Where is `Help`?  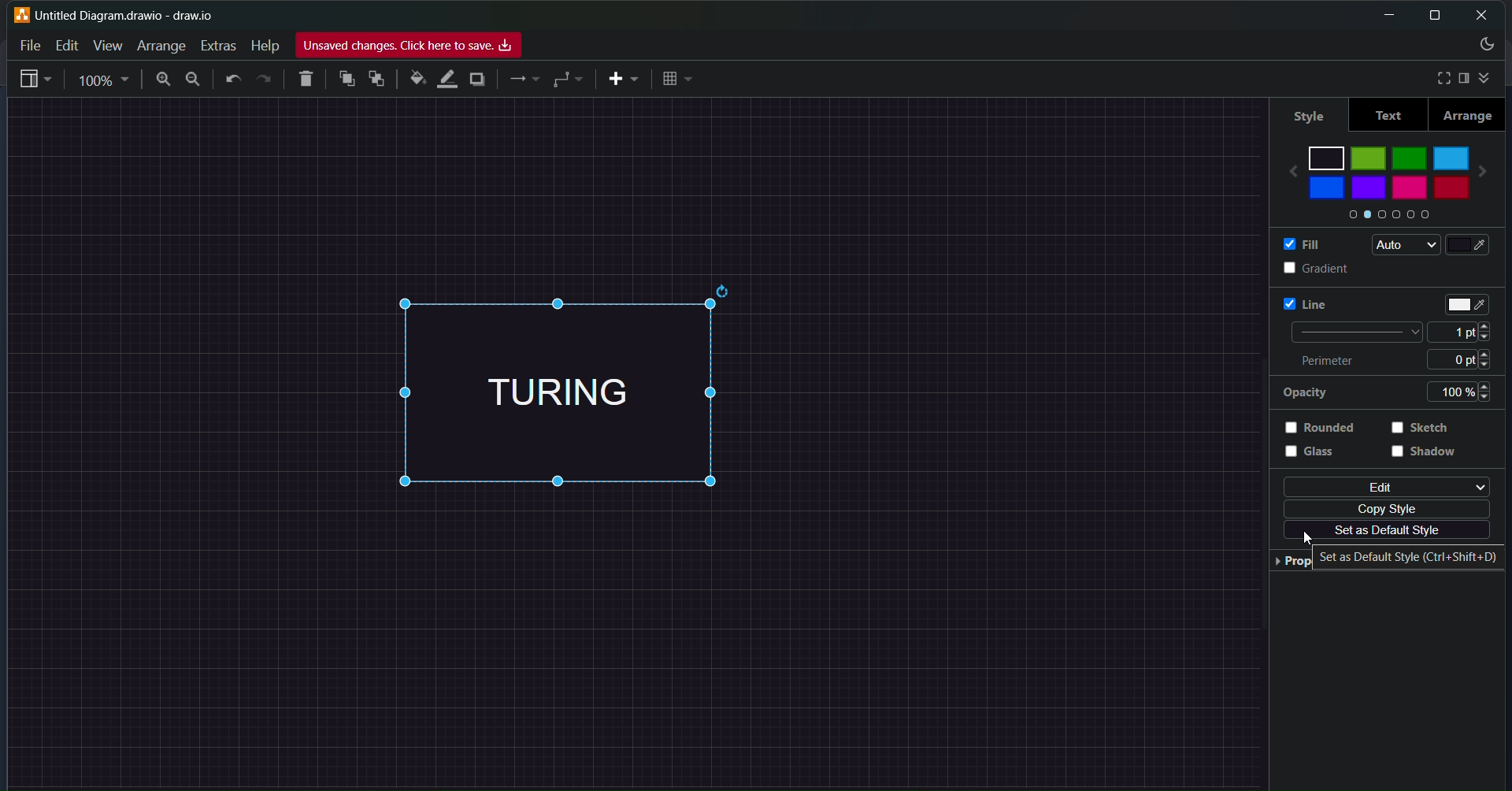 Help is located at coordinates (264, 46).